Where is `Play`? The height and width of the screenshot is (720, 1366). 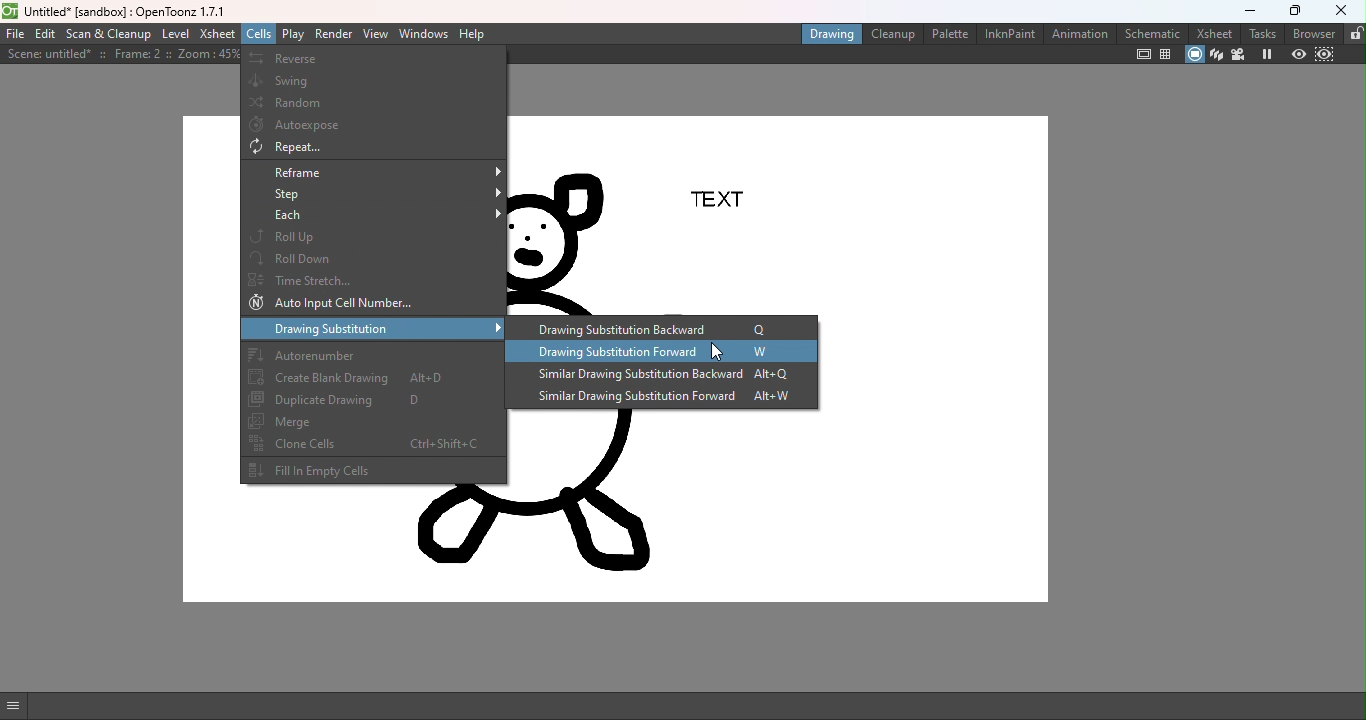
Play is located at coordinates (293, 34).